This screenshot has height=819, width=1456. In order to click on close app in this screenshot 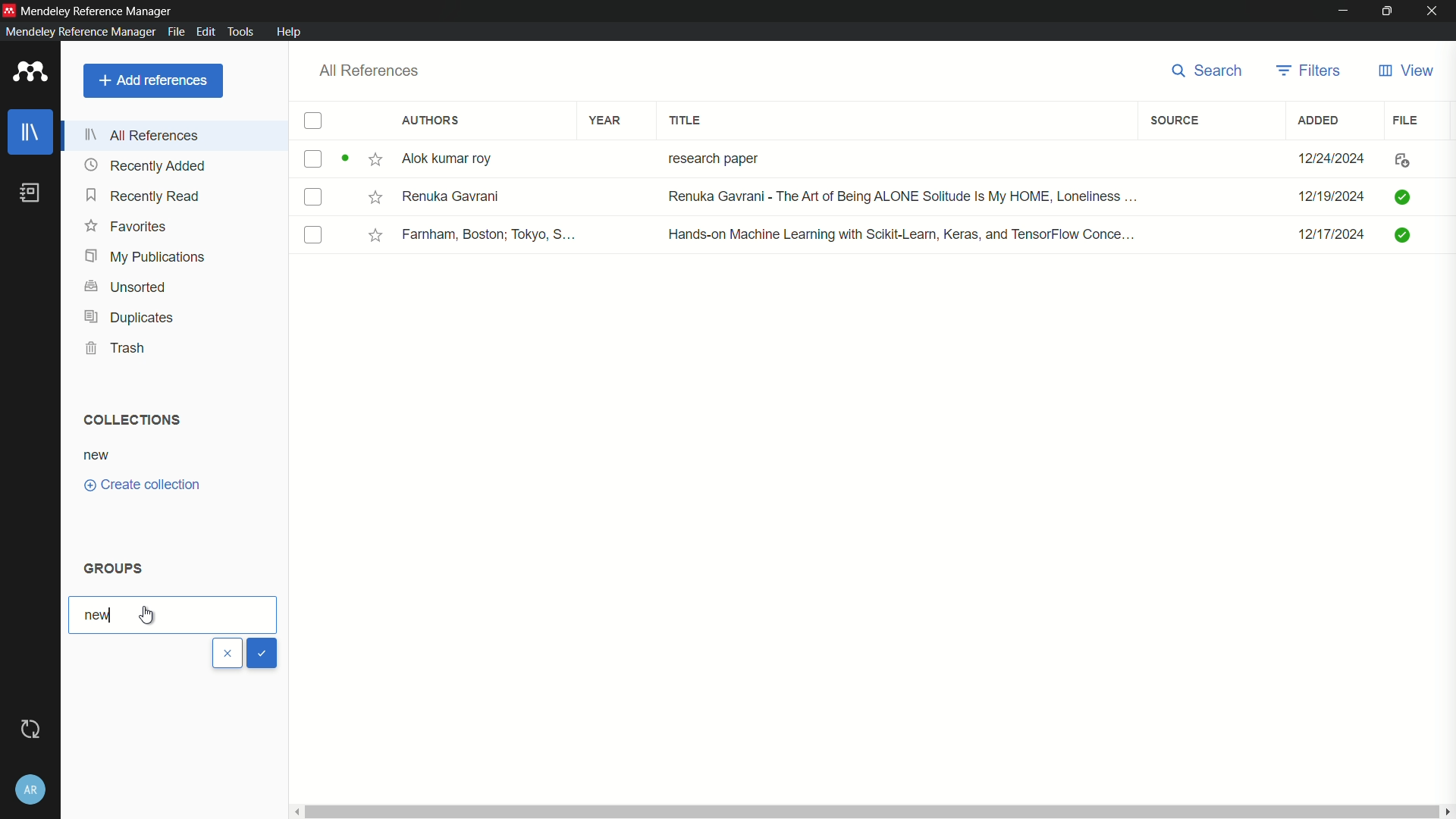, I will do `click(1434, 11)`.